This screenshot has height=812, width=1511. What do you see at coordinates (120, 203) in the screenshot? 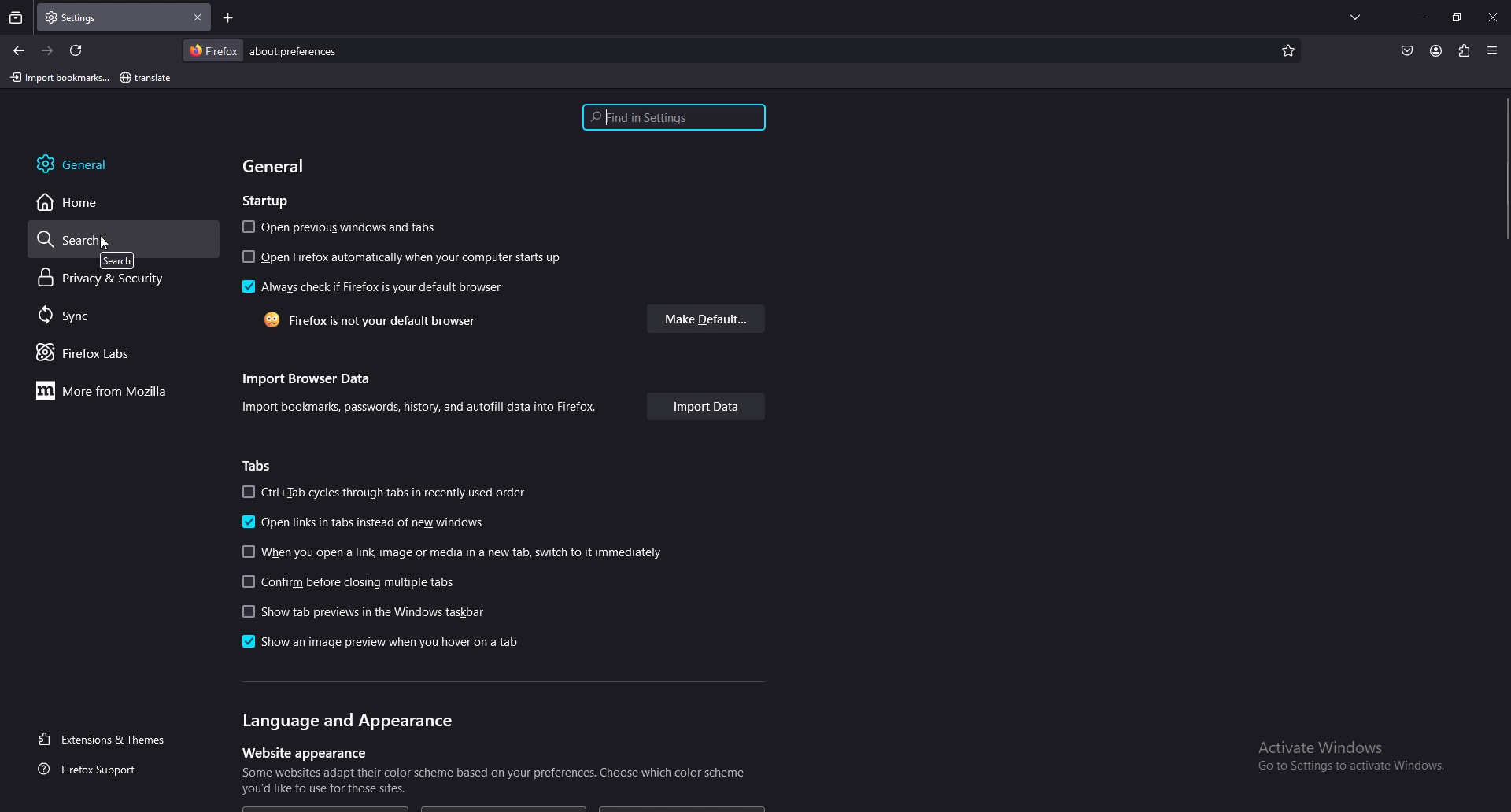
I see `home` at bounding box center [120, 203].